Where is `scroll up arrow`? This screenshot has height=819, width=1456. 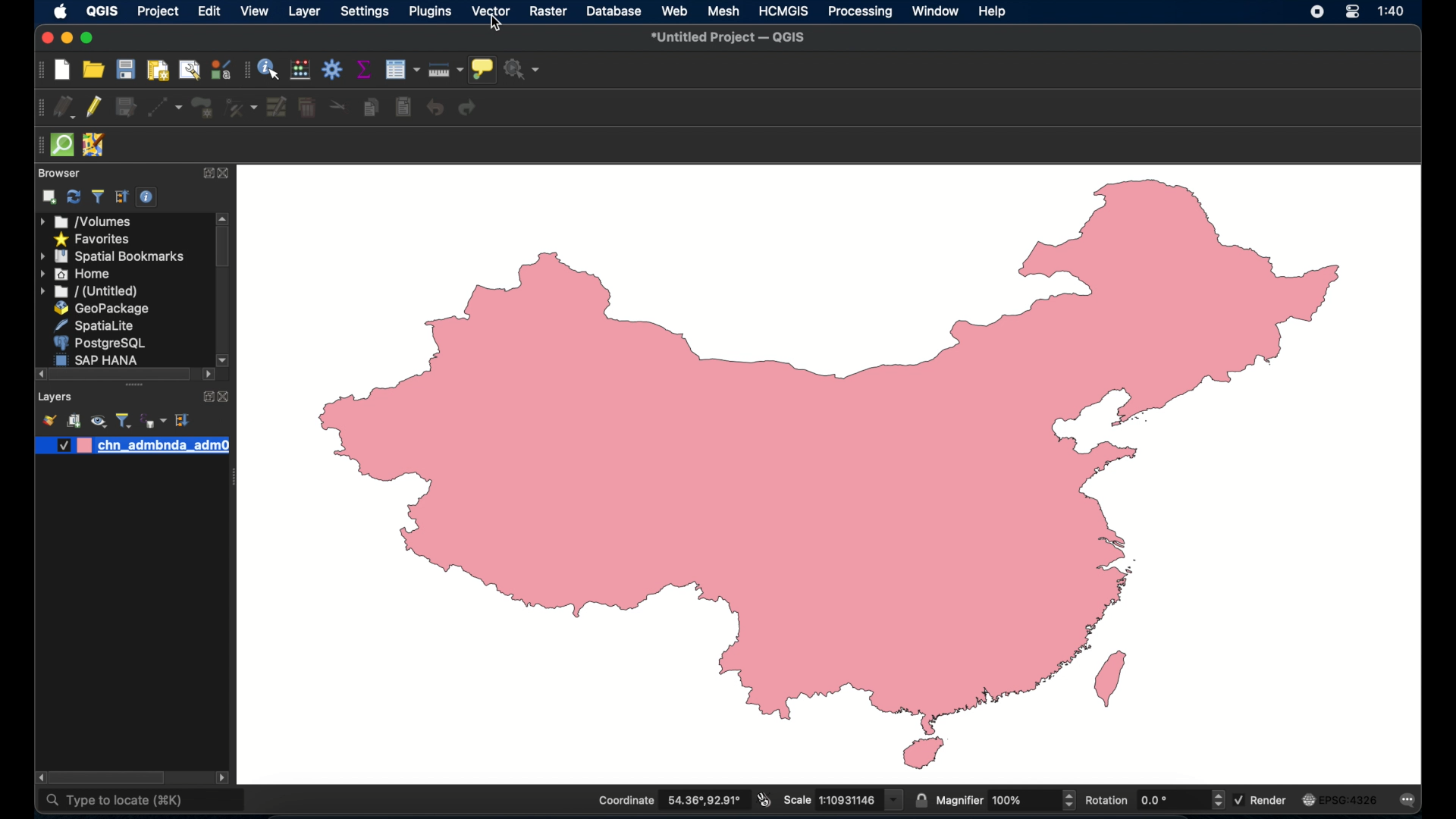 scroll up arrow is located at coordinates (223, 218).